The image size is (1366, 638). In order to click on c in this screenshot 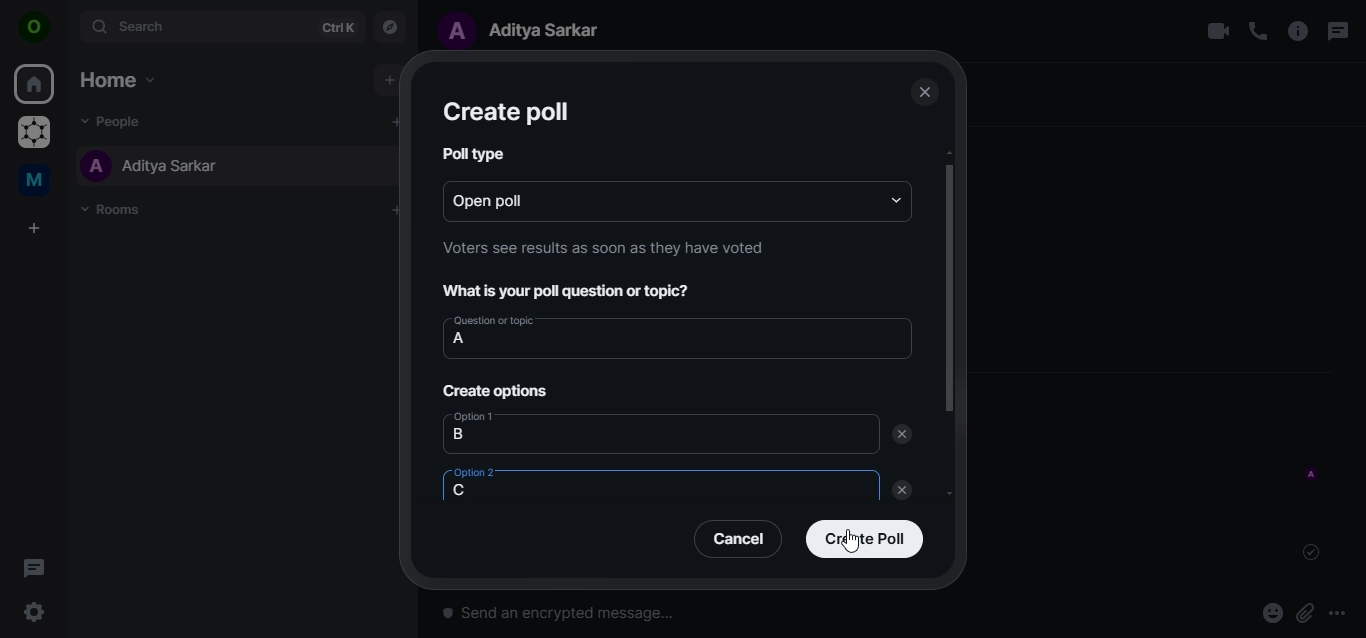, I will do `click(468, 491)`.